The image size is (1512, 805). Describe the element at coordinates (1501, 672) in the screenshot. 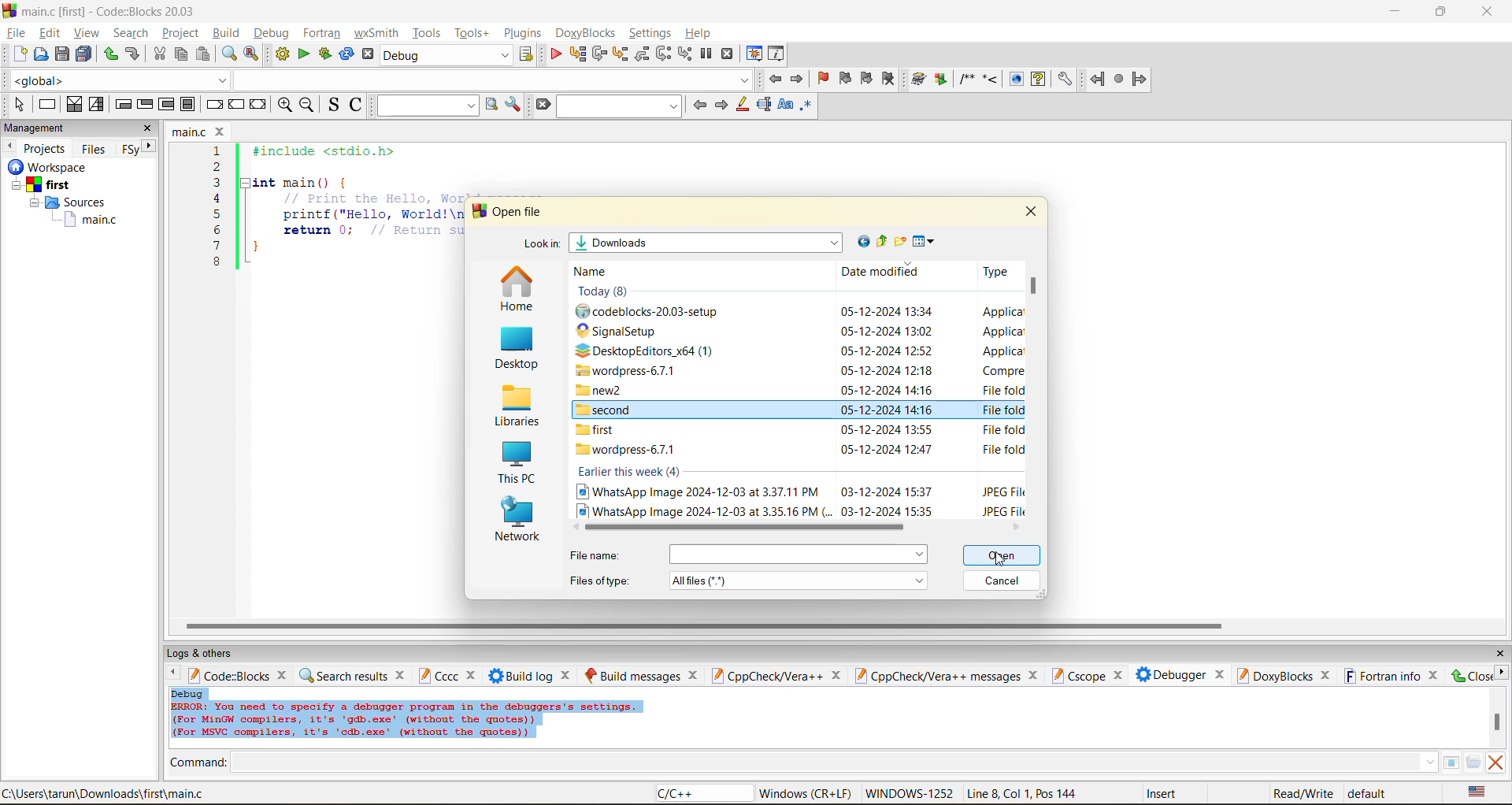

I see `next` at that location.